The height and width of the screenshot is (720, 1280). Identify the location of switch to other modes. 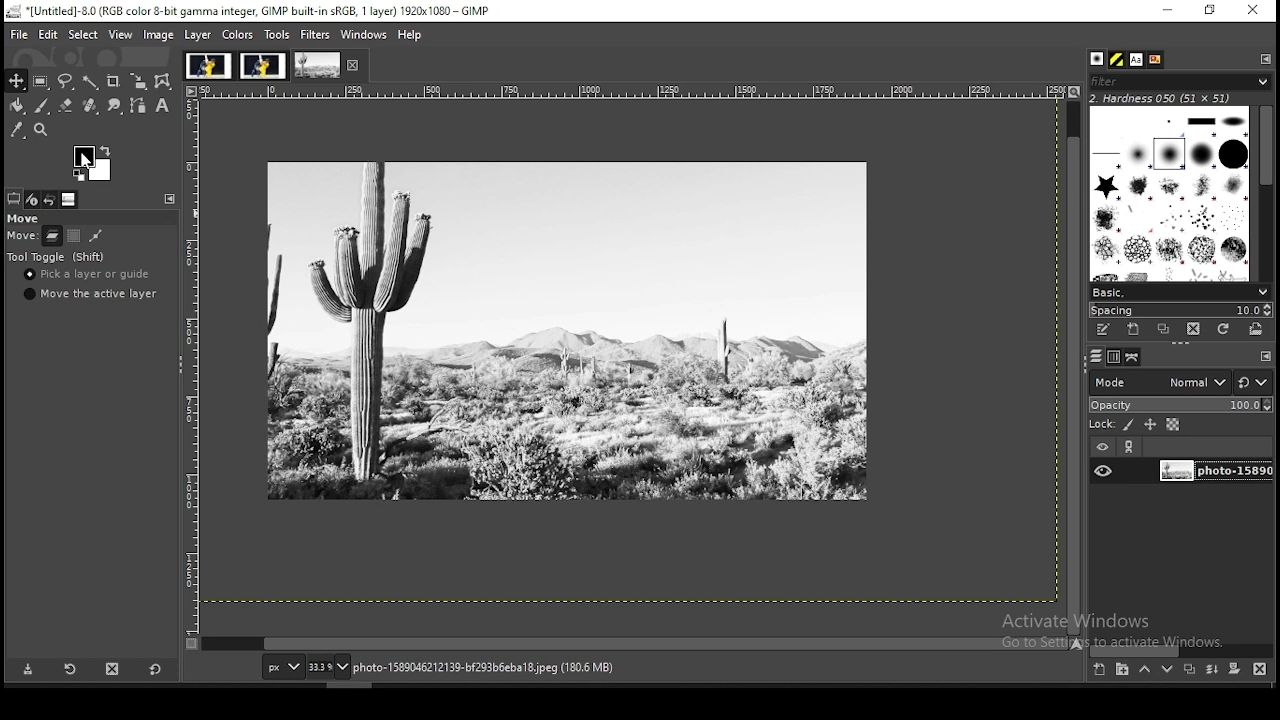
(1252, 383).